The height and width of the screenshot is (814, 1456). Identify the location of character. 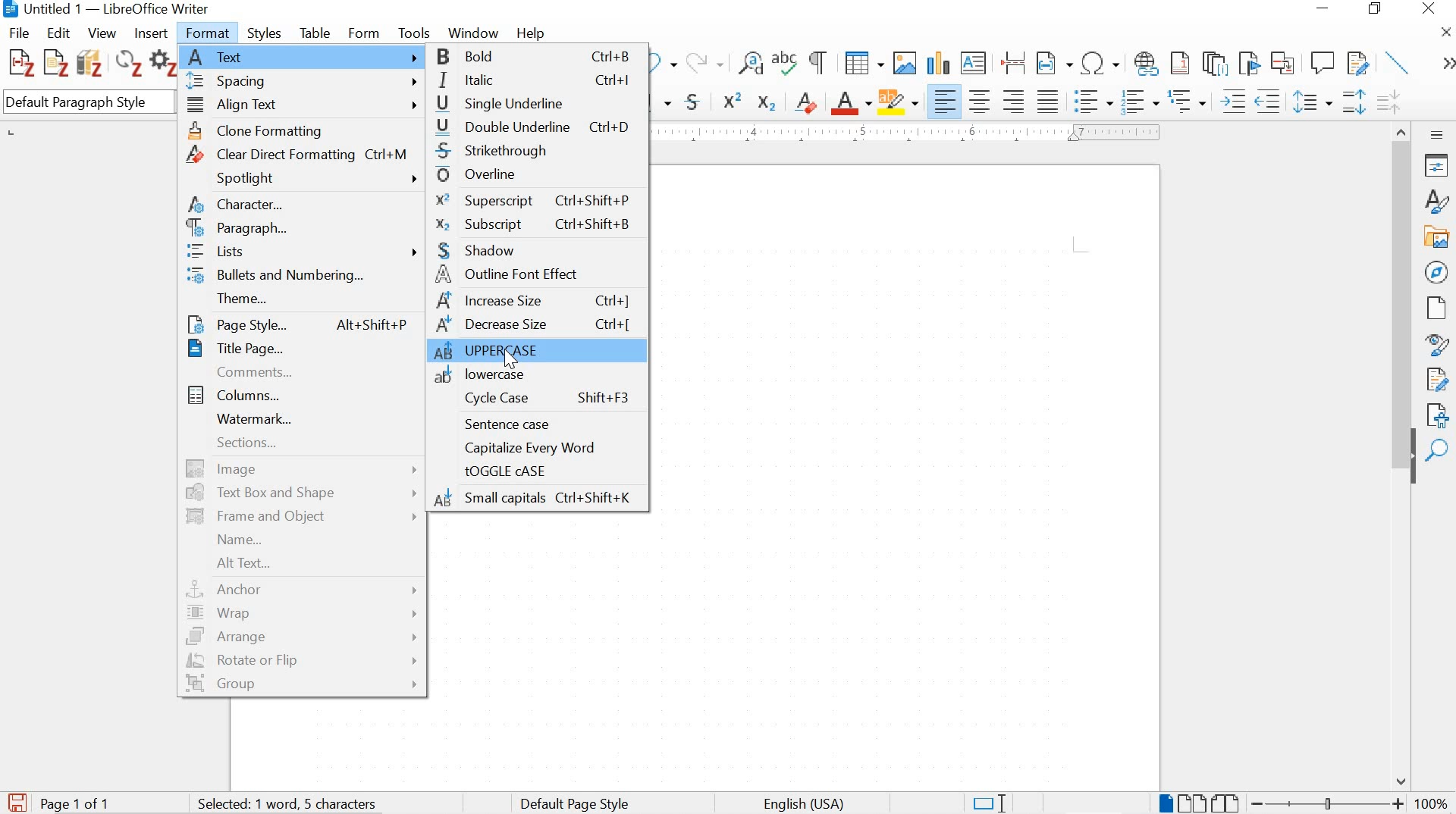
(302, 207).